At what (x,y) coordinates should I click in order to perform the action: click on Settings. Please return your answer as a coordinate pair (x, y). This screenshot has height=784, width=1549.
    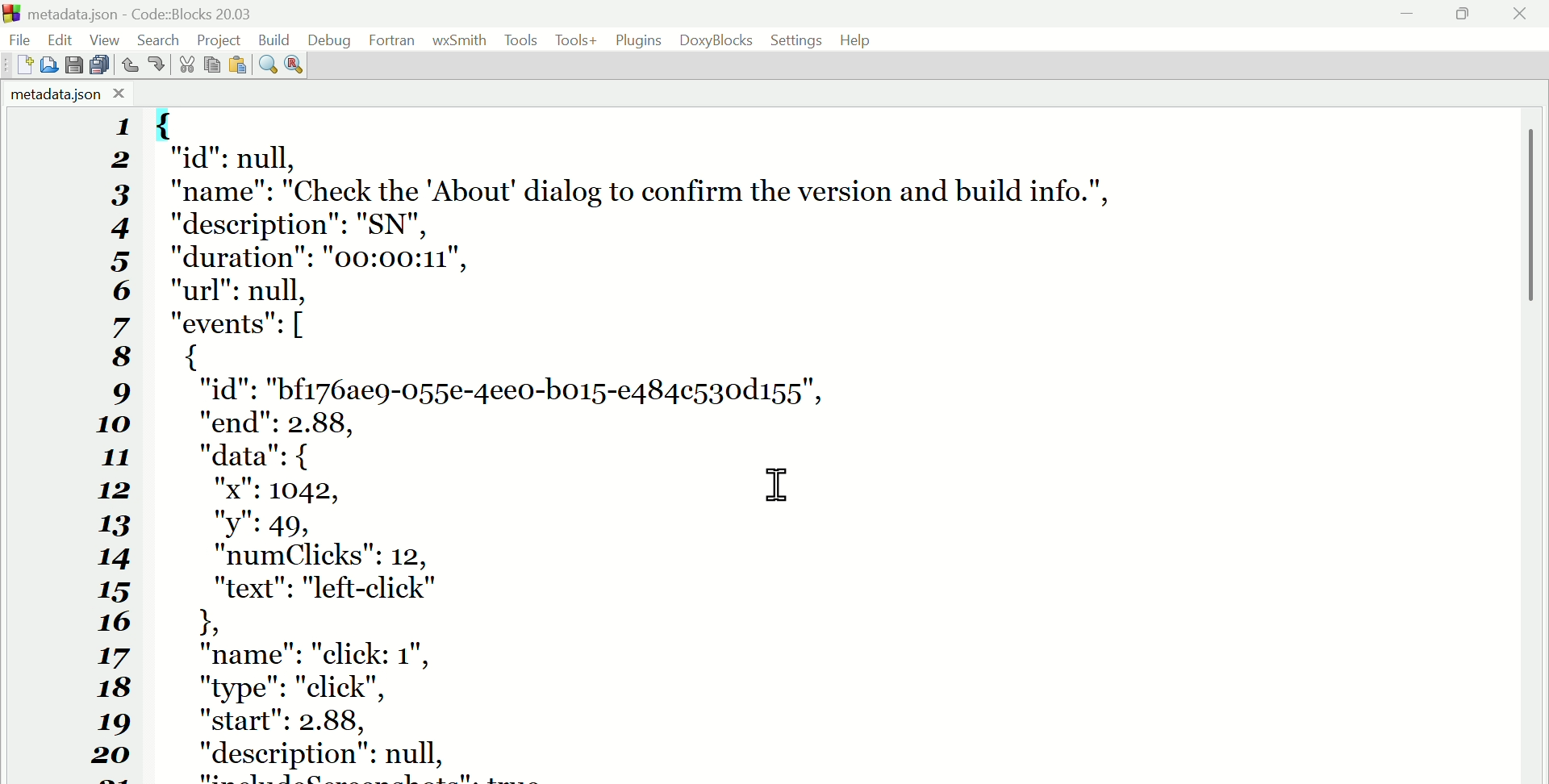
    Looking at the image, I should click on (797, 40).